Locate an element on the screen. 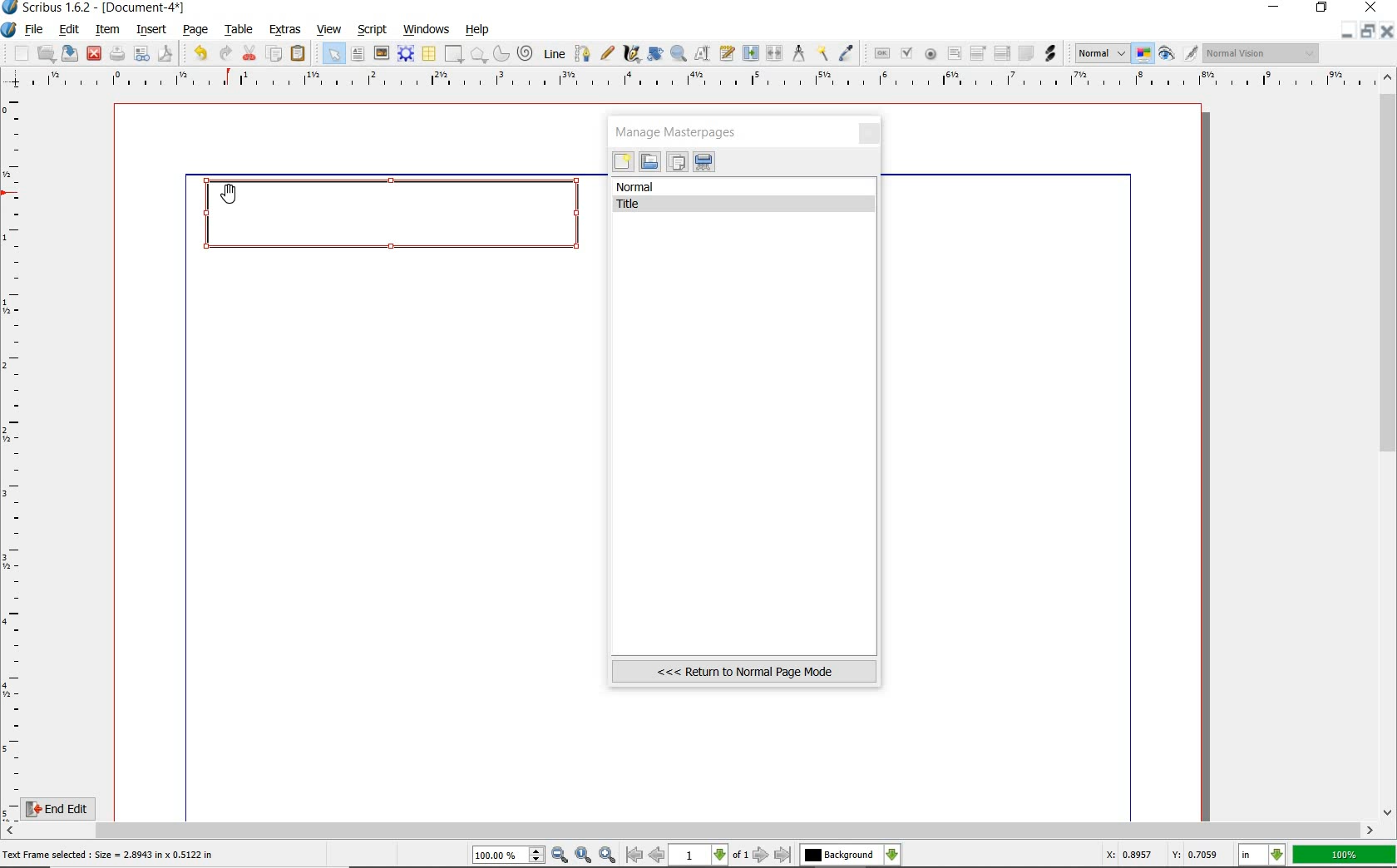 This screenshot has width=1397, height=868. unlink text frames is located at coordinates (775, 54).